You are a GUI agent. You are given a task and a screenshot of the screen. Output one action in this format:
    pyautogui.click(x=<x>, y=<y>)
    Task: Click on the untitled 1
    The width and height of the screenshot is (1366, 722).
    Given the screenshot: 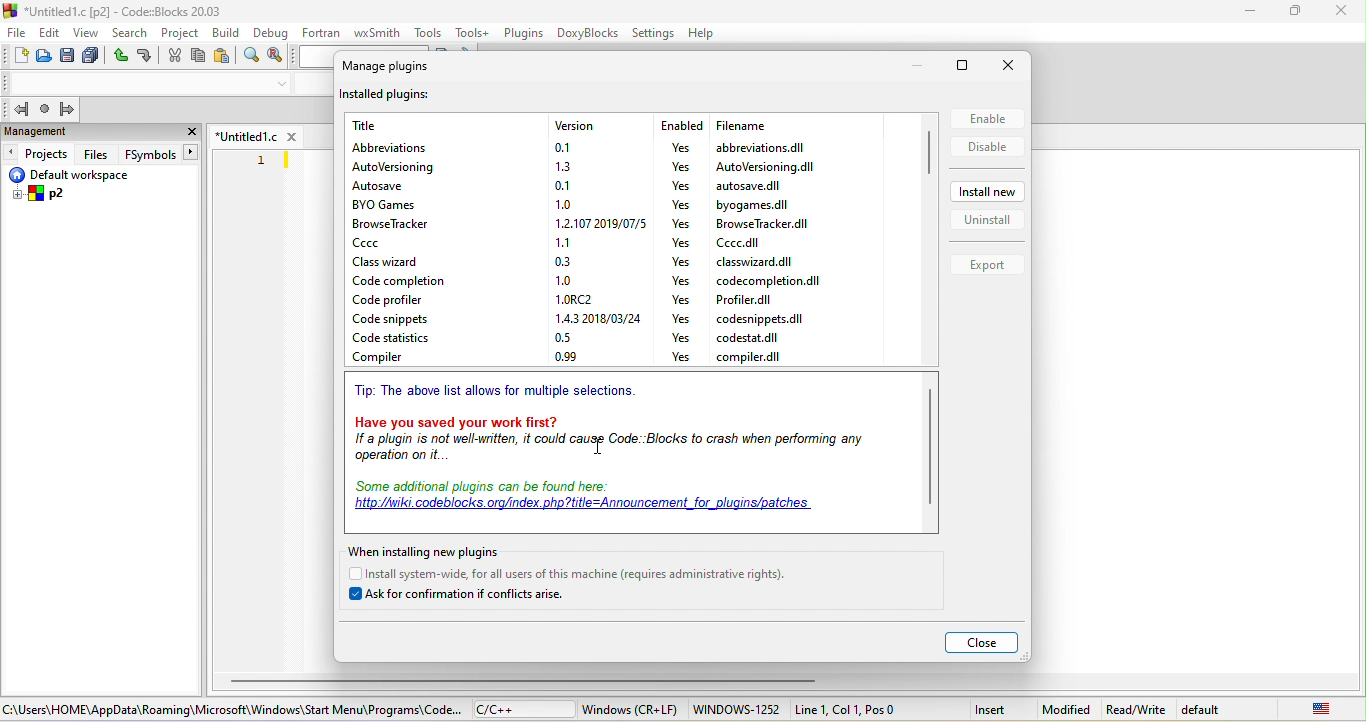 What is the action you would take?
    pyautogui.click(x=257, y=135)
    